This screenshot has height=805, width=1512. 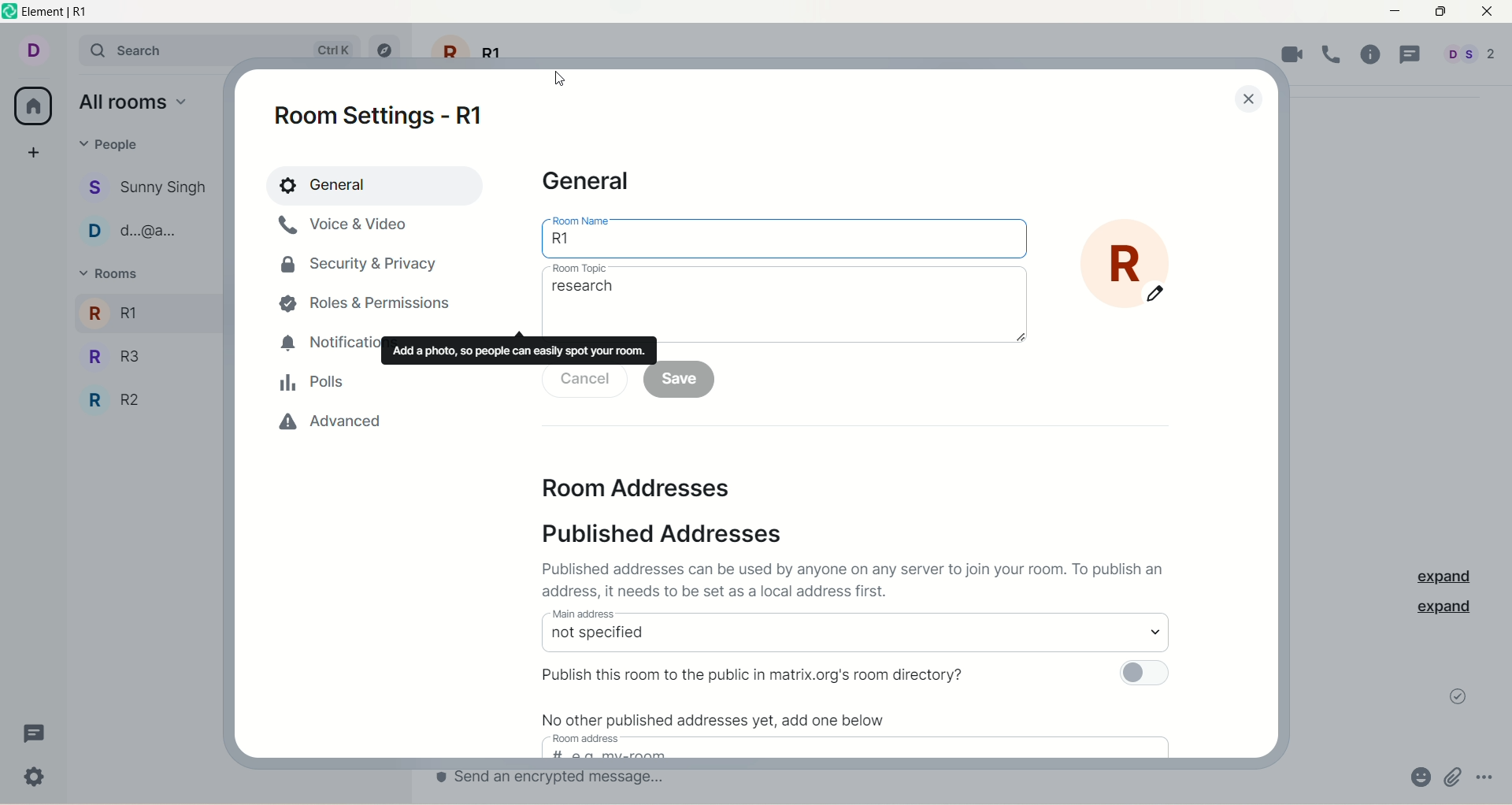 What do you see at coordinates (125, 355) in the screenshot?
I see `R3` at bounding box center [125, 355].